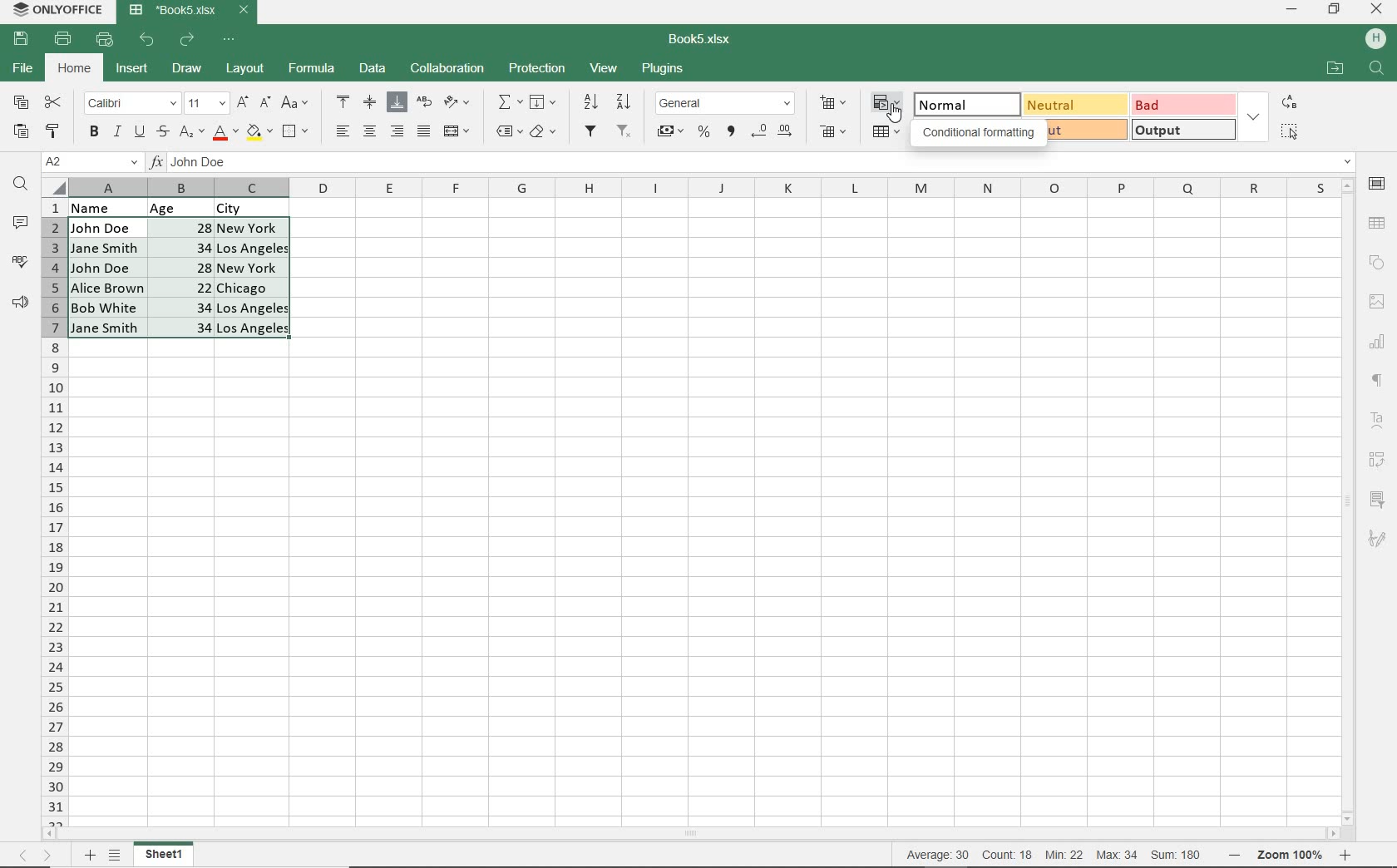 The image size is (1397, 868). Describe the element at coordinates (696, 835) in the screenshot. I see `SCROLLBAR` at that location.